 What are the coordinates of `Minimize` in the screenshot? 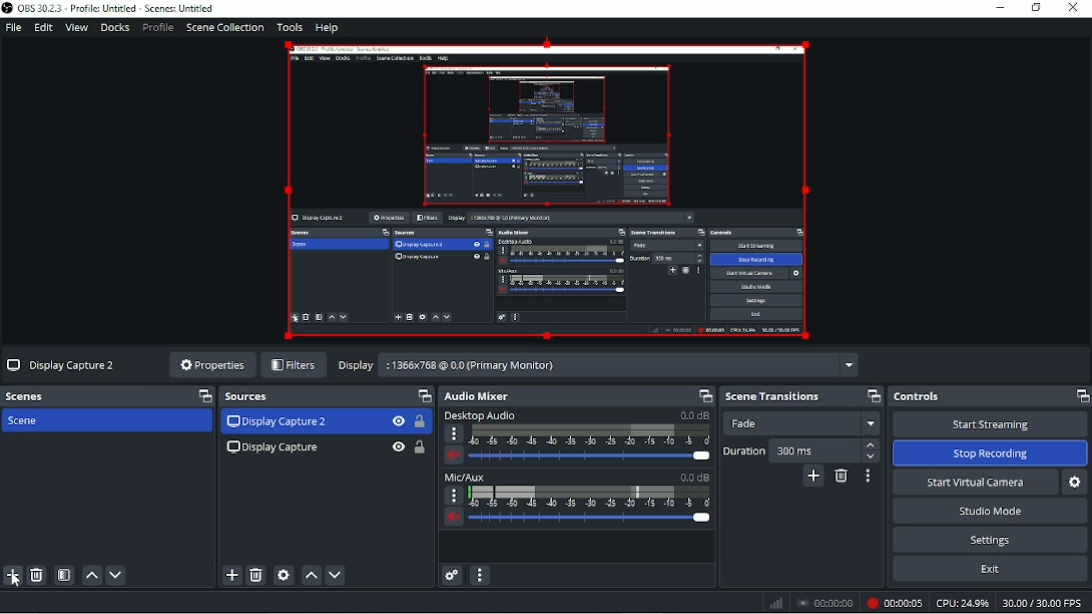 It's located at (999, 7).